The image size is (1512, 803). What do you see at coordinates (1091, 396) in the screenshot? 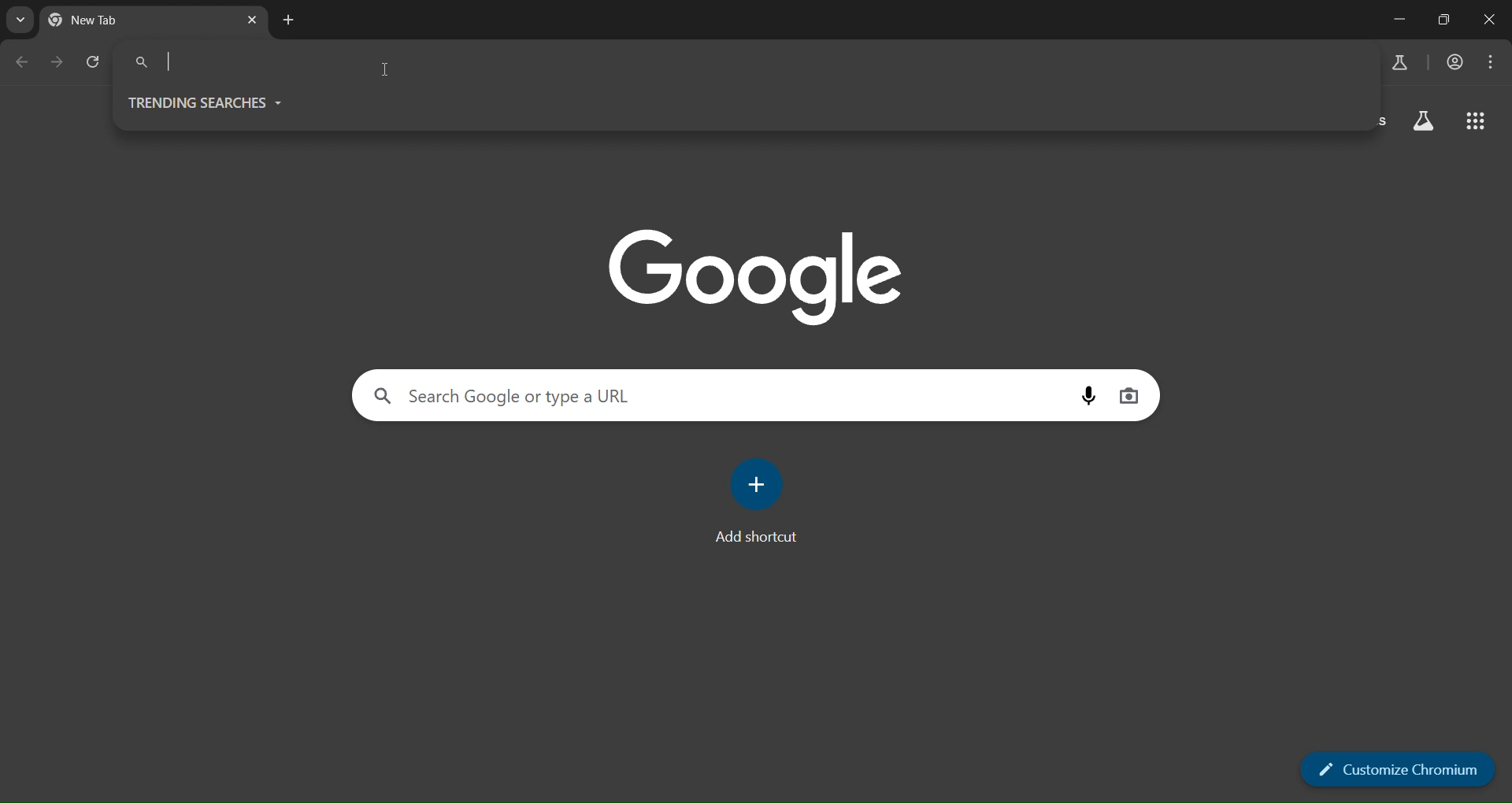
I see `voice search` at bounding box center [1091, 396].